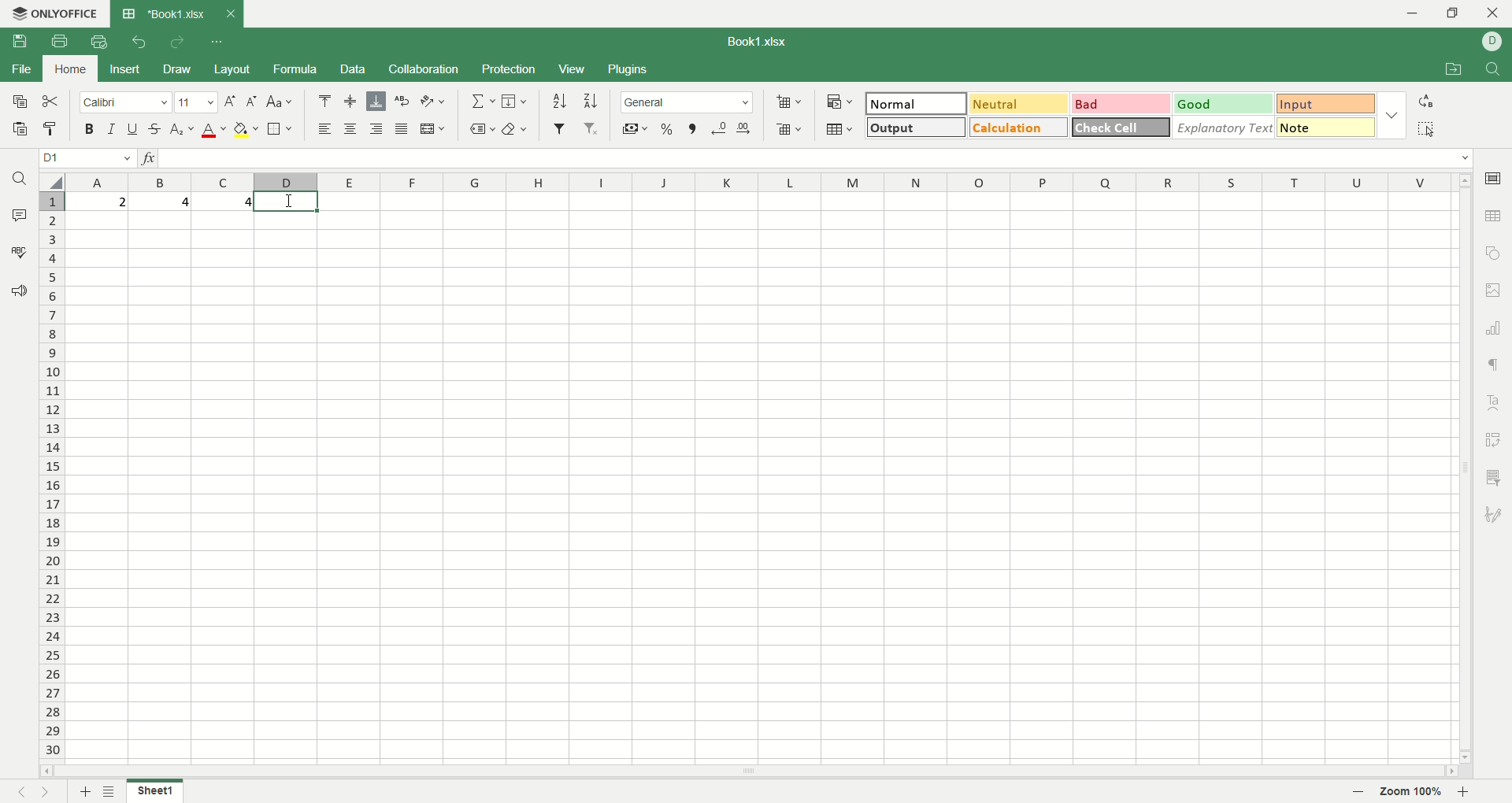 Image resolution: width=1512 pixels, height=803 pixels. I want to click on align center, so click(351, 130).